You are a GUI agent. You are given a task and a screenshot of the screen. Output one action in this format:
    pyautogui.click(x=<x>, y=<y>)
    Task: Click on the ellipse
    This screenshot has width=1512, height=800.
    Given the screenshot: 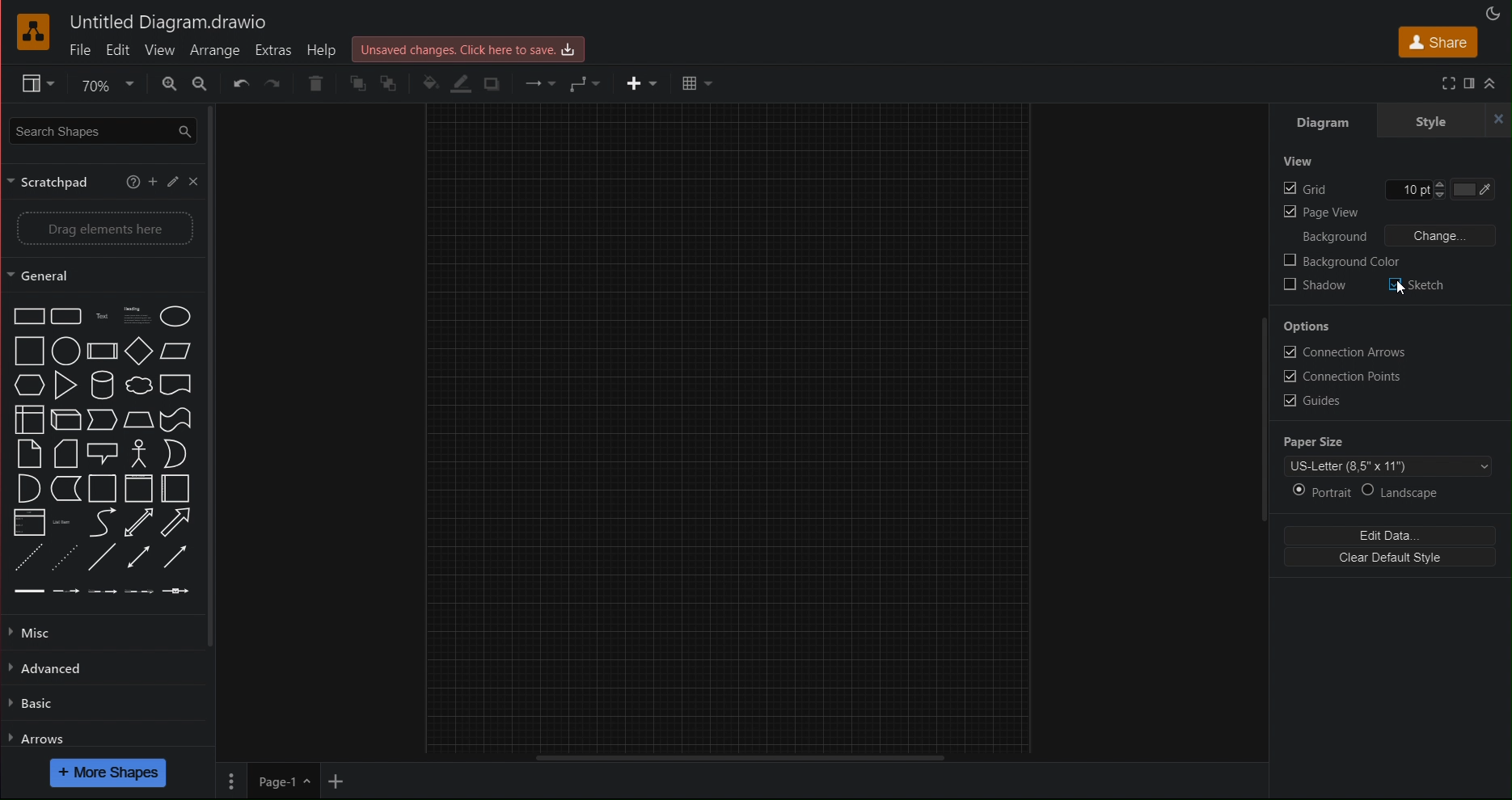 What is the action you would take?
    pyautogui.click(x=175, y=318)
    